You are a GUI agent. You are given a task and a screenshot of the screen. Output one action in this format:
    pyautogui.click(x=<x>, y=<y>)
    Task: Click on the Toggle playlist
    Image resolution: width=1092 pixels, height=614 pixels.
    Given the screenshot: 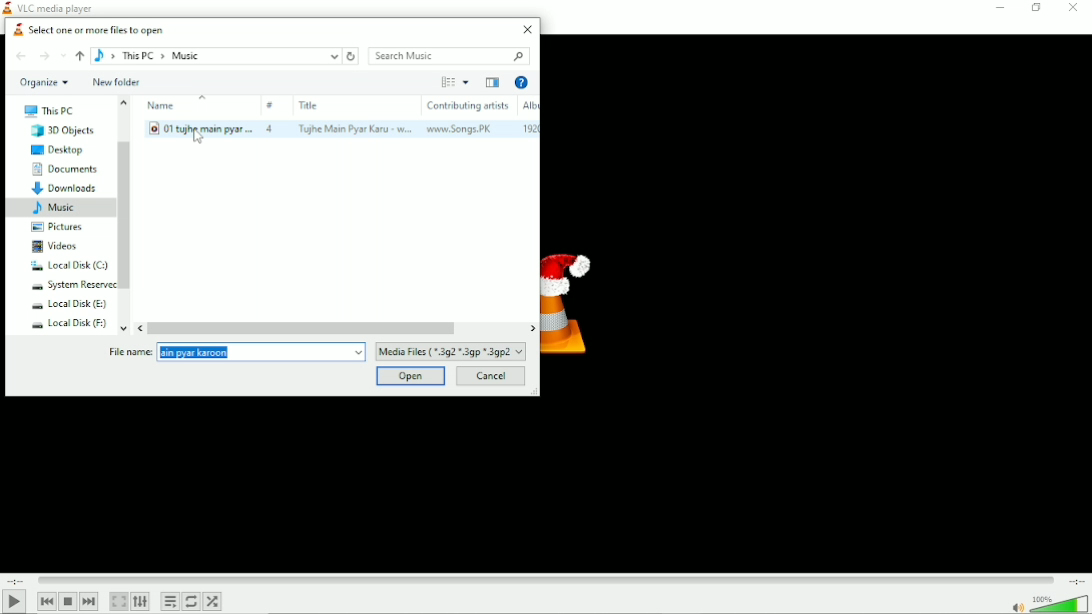 What is the action you would take?
    pyautogui.click(x=169, y=602)
    